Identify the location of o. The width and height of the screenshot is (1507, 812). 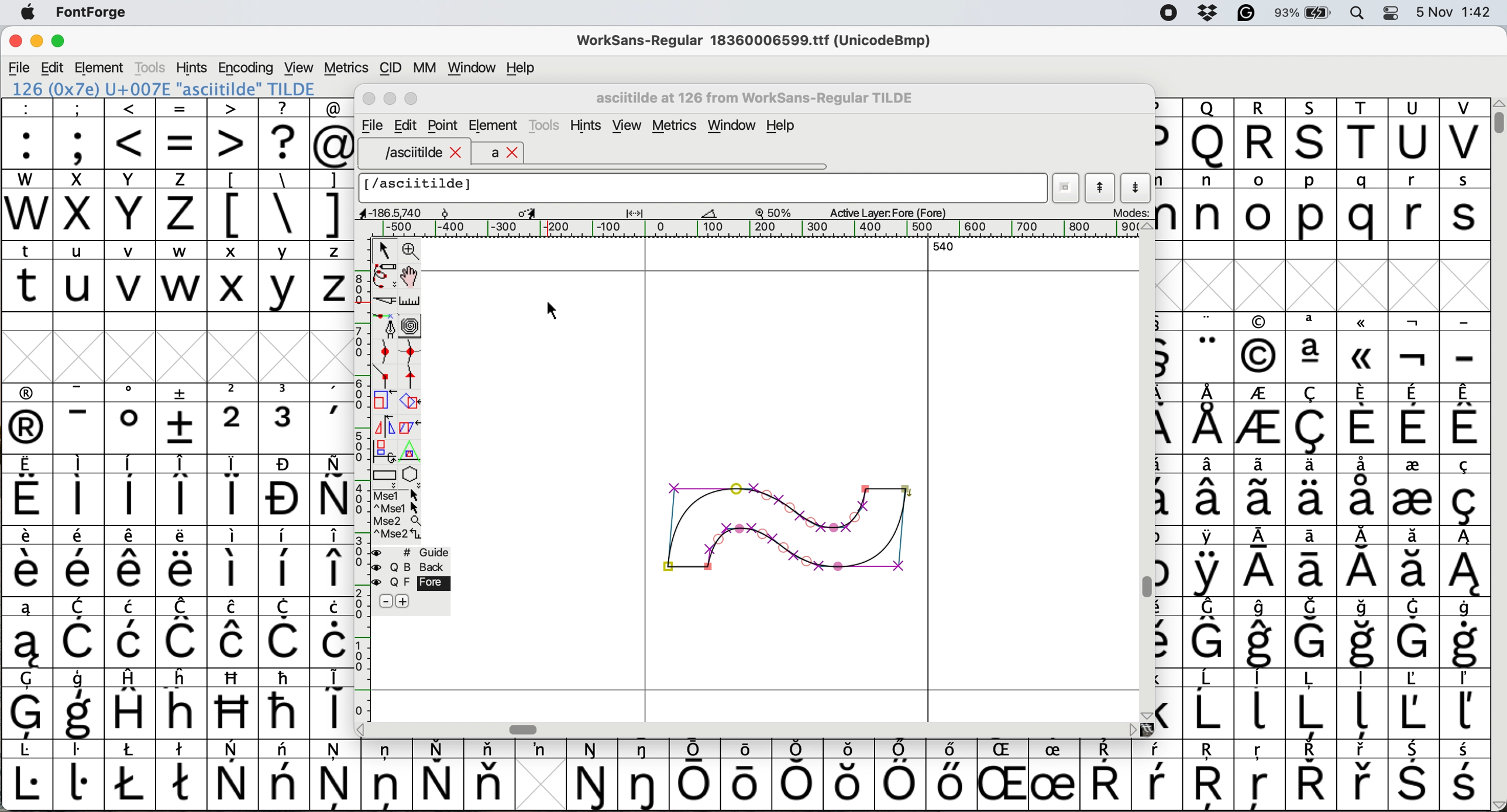
(1261, 207).